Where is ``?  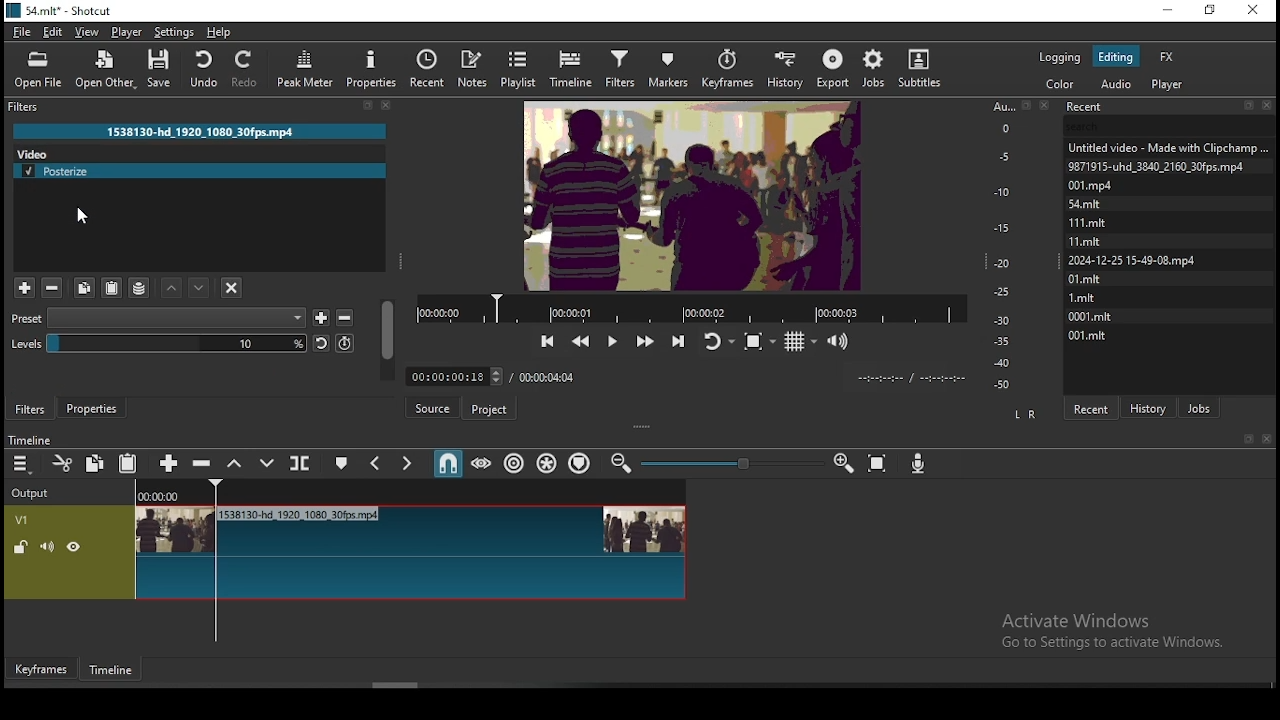
 is located at coordinates (344, 344).